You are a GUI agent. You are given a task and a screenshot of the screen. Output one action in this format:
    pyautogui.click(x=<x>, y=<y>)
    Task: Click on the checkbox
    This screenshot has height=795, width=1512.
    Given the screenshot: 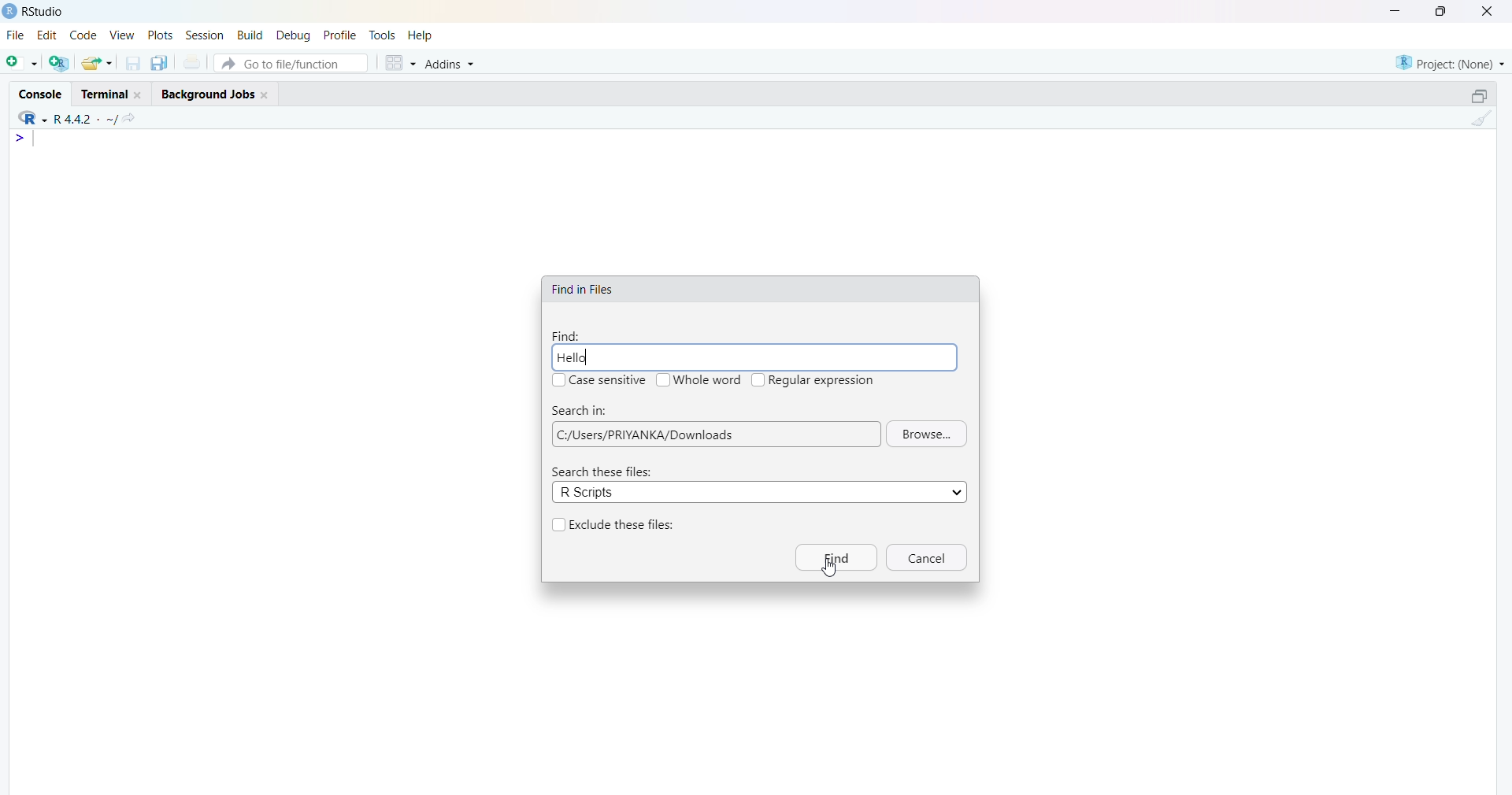 What is the action you would take?
    pyautogui.click(x=561, y=525)
    